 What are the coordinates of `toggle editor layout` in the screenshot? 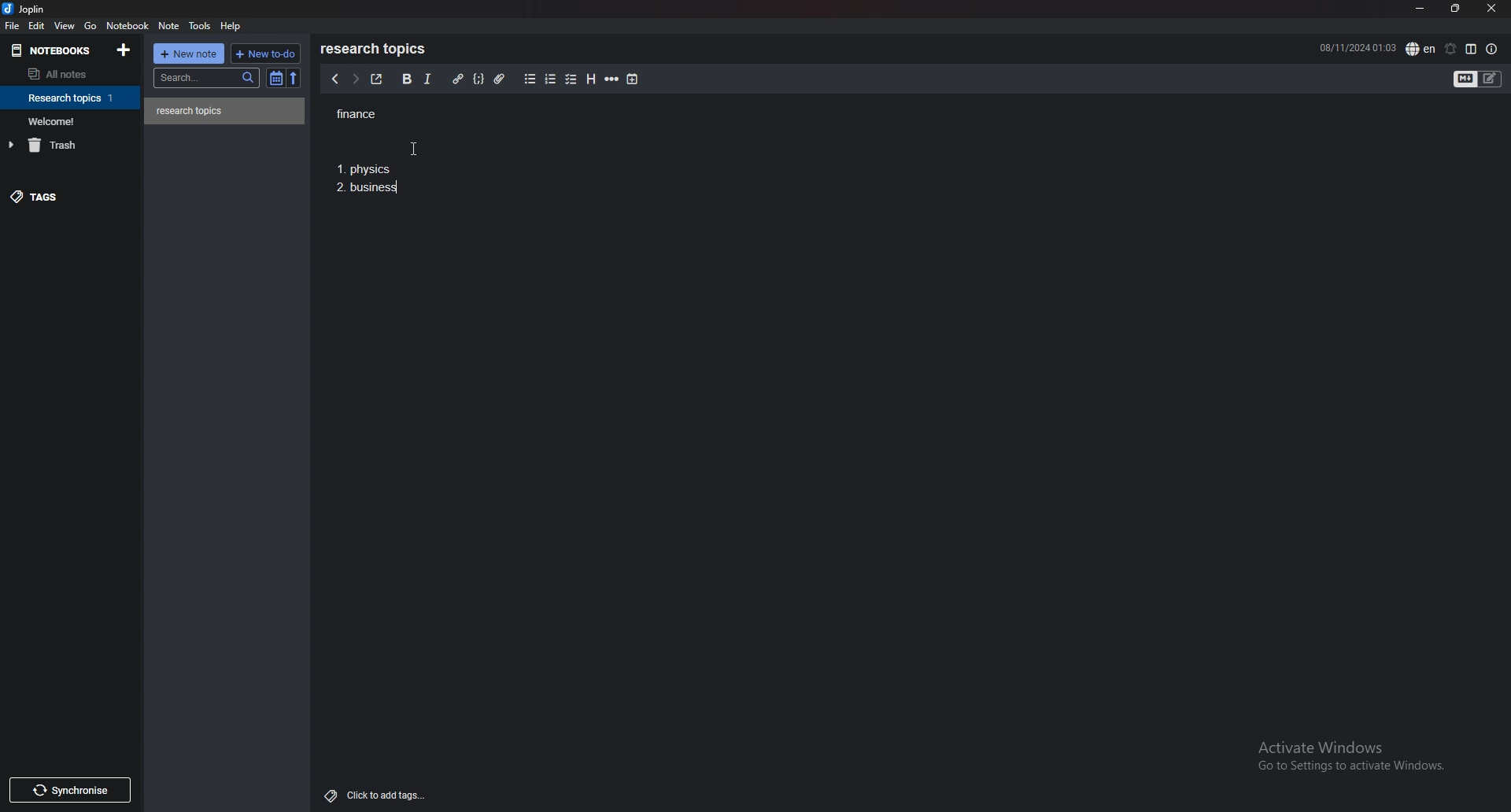 It's located at (1471, 49).